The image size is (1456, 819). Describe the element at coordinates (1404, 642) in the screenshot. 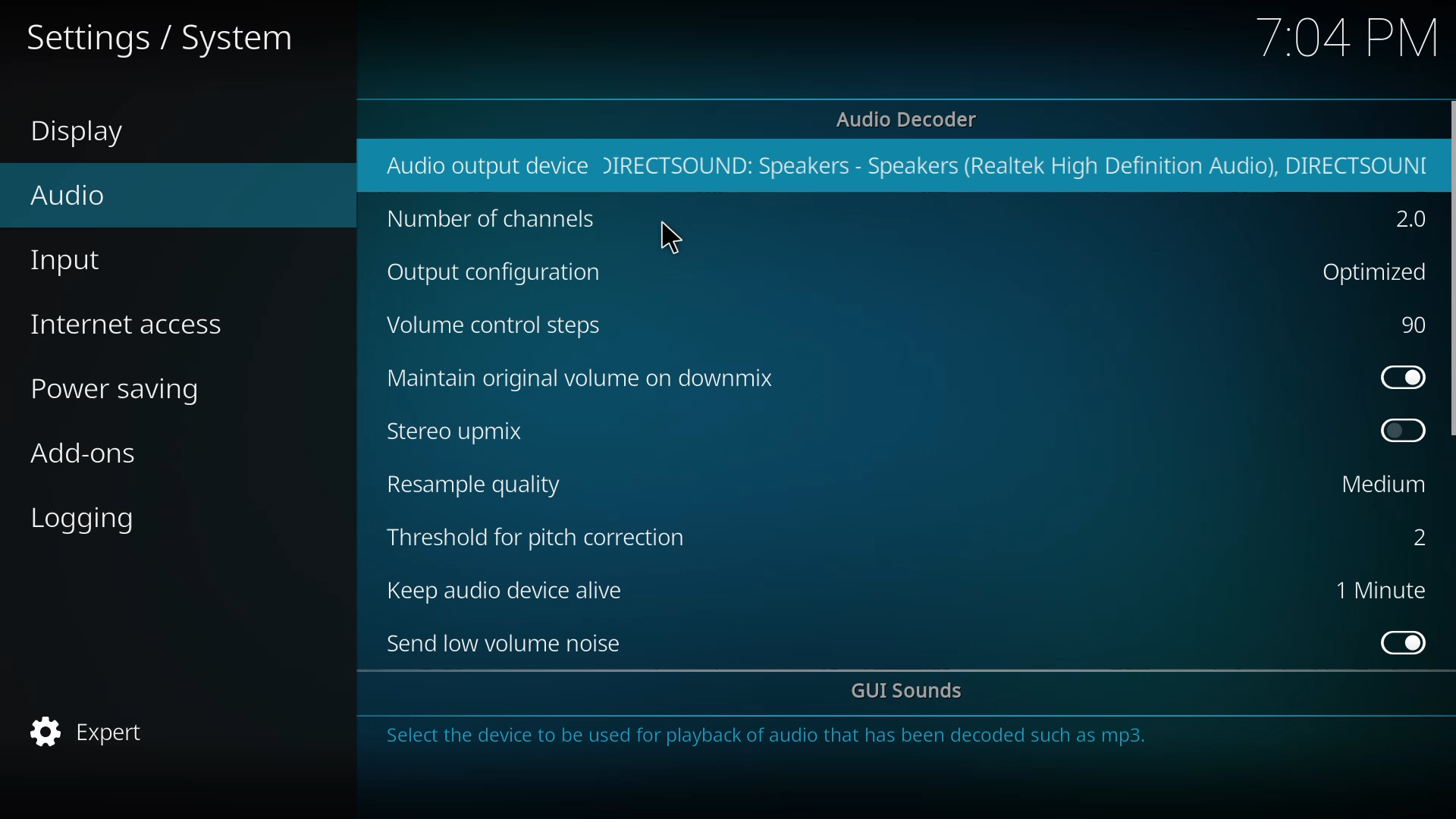

I see `enable` at that location.